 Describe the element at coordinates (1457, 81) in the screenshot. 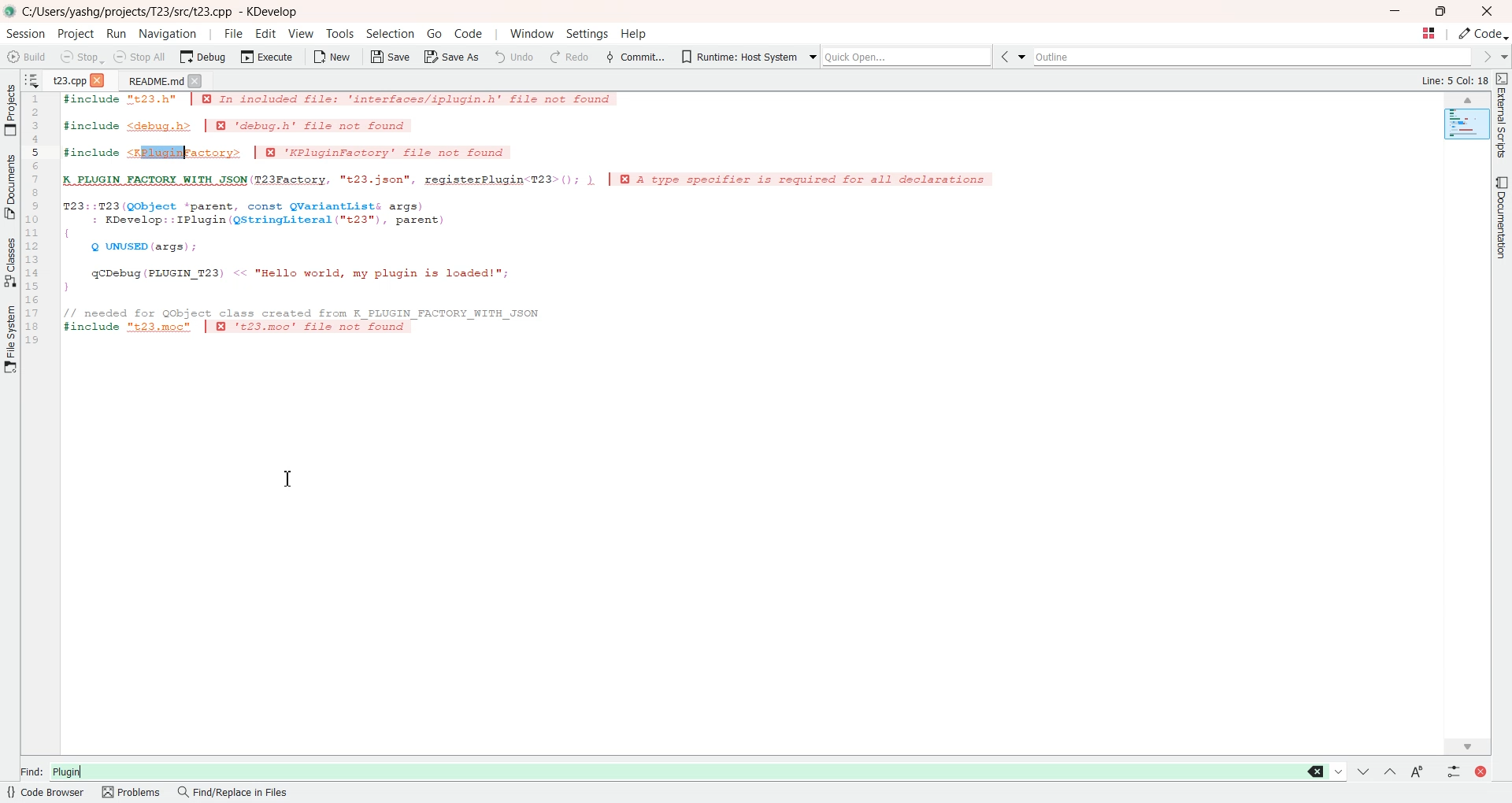

I see `Line: 19 Col 1` at that location.